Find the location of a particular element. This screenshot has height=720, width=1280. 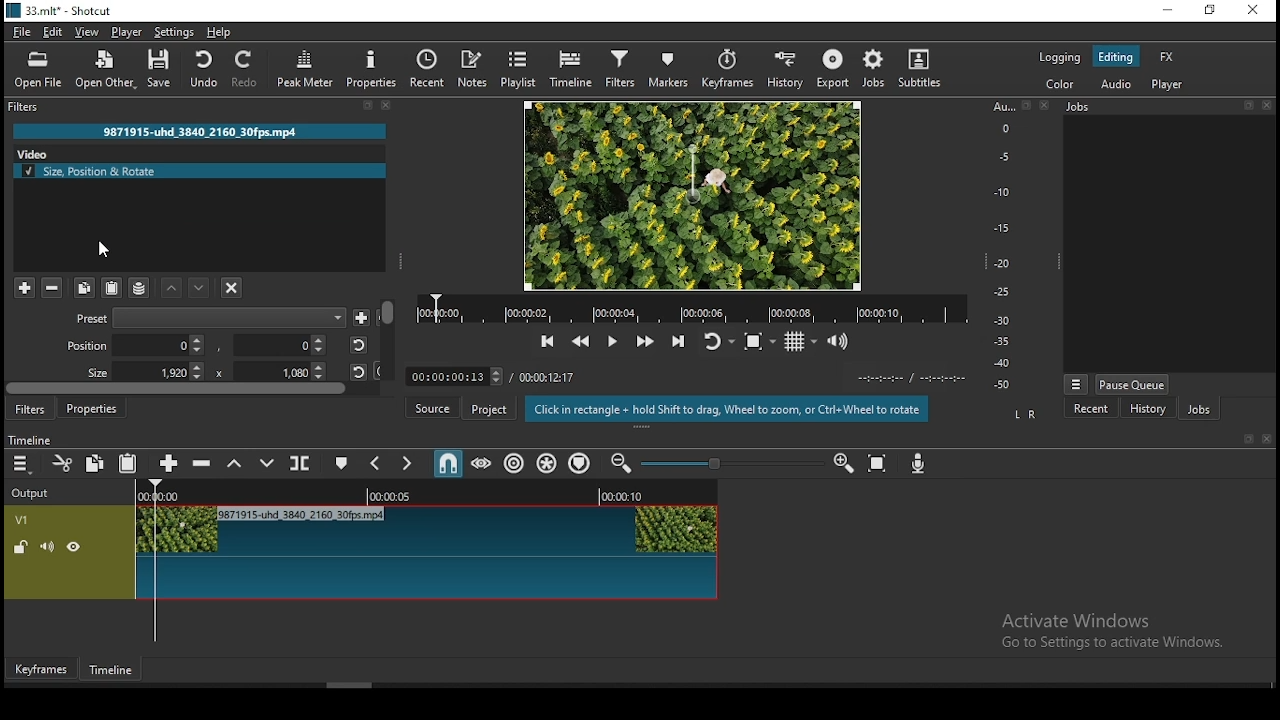

more is located at coordinates (1074, 383).